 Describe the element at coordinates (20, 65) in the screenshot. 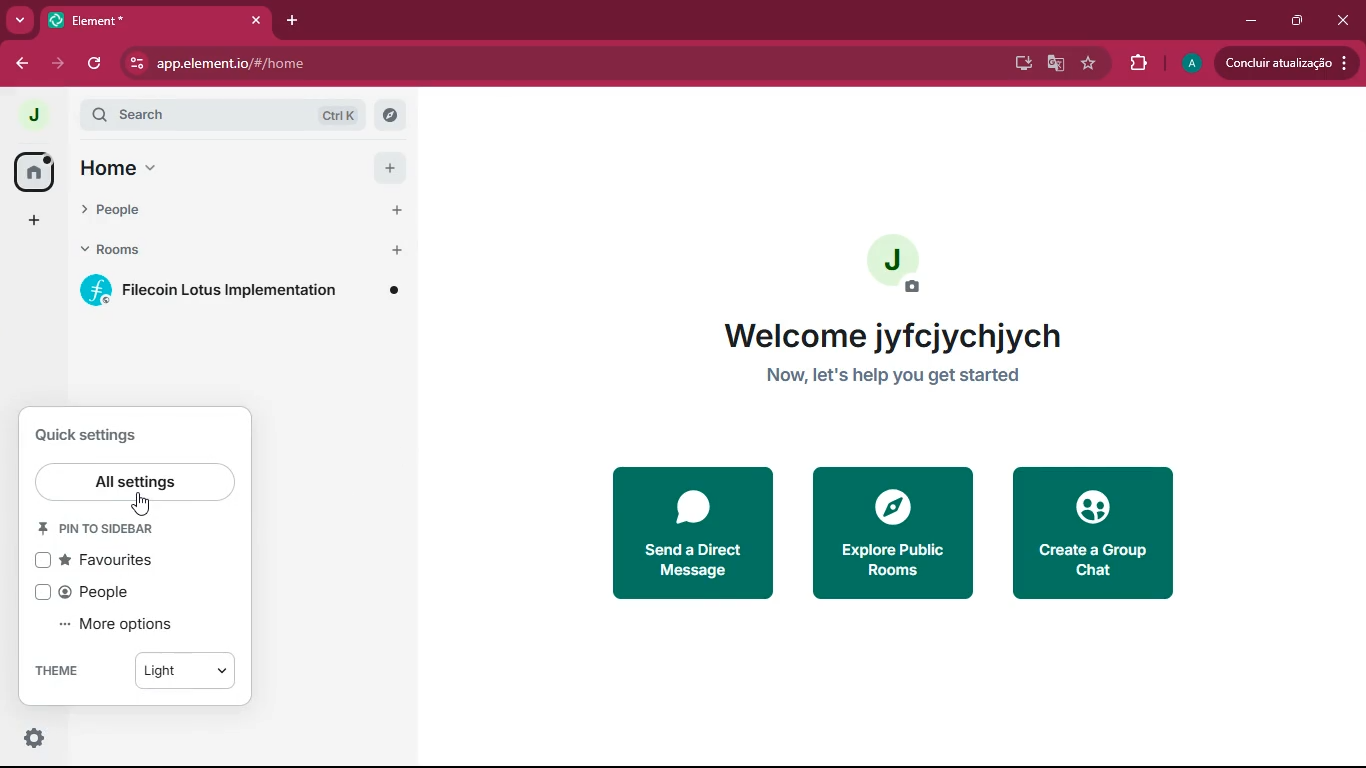

I see `forward` at that location.